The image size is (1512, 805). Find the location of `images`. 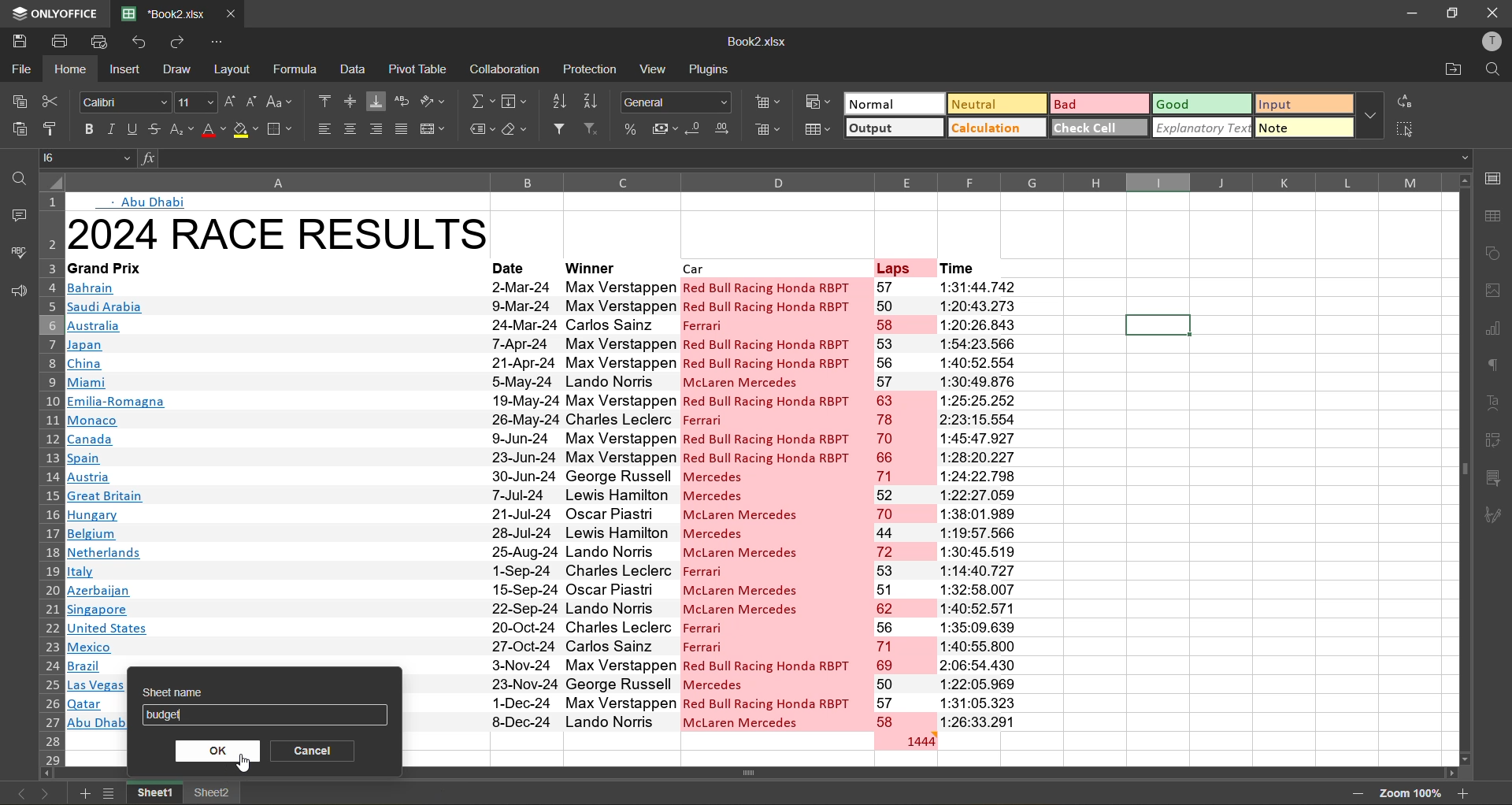

images is located at coordinates (1492, 291).